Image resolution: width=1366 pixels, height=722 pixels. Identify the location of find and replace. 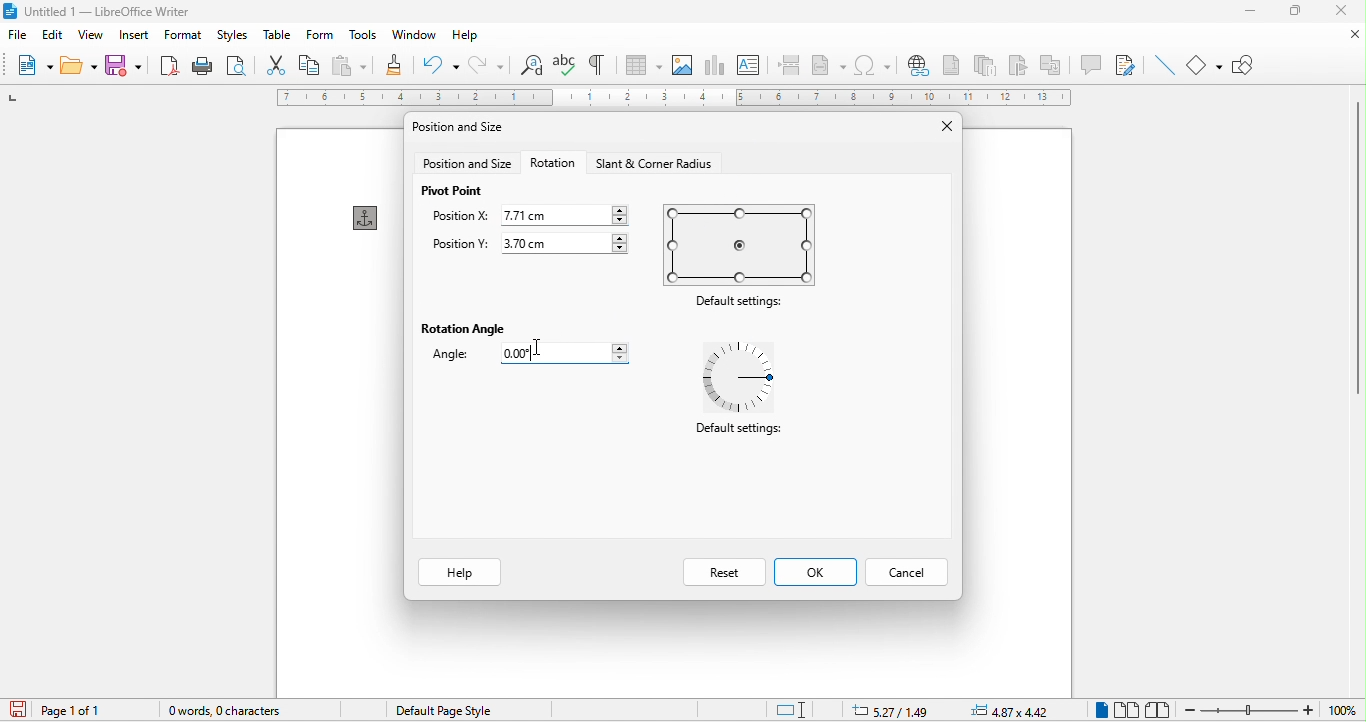
(532, 65).